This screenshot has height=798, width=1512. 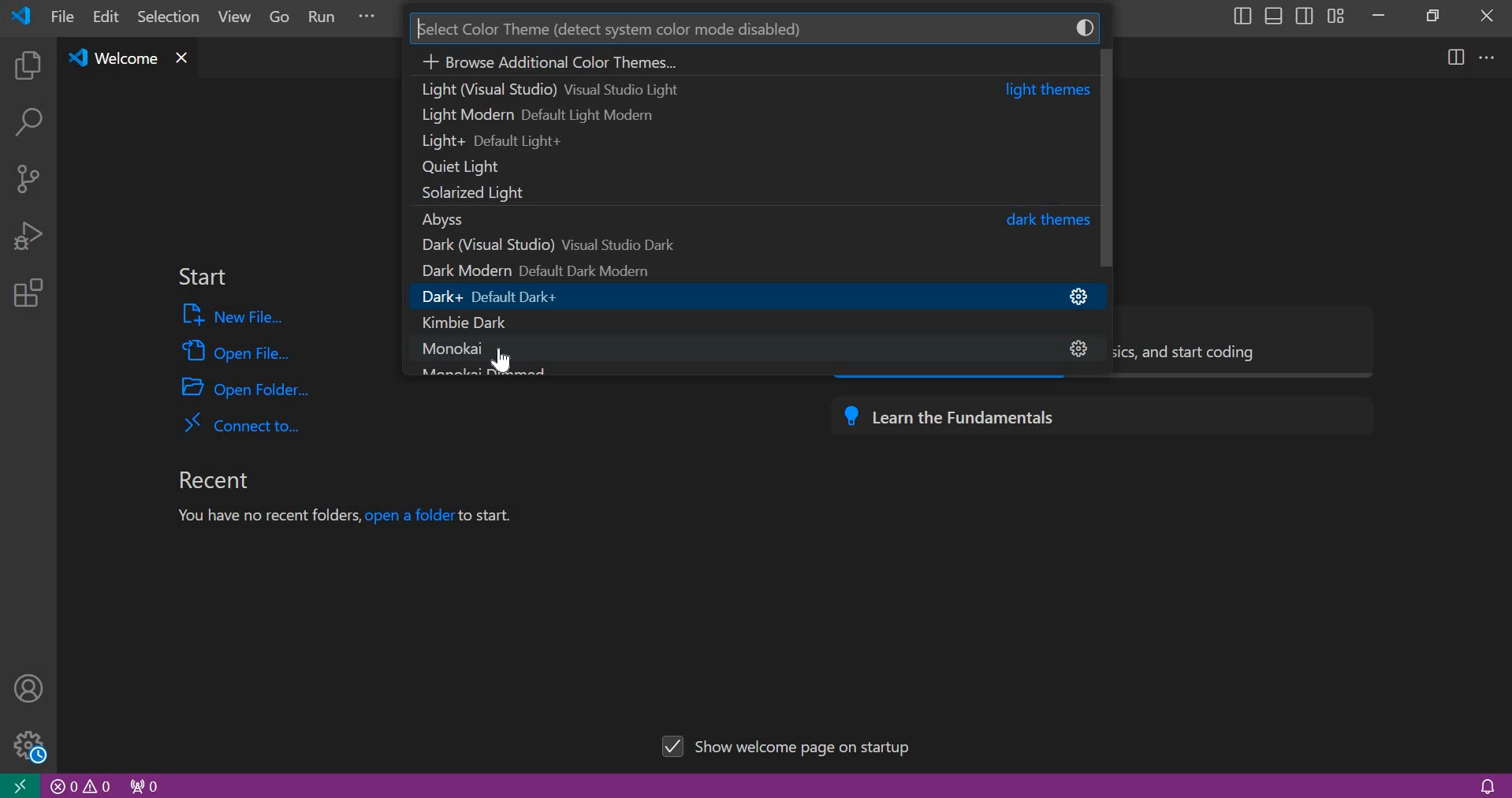 I want to click on close tab, so click(x=184, y=59).